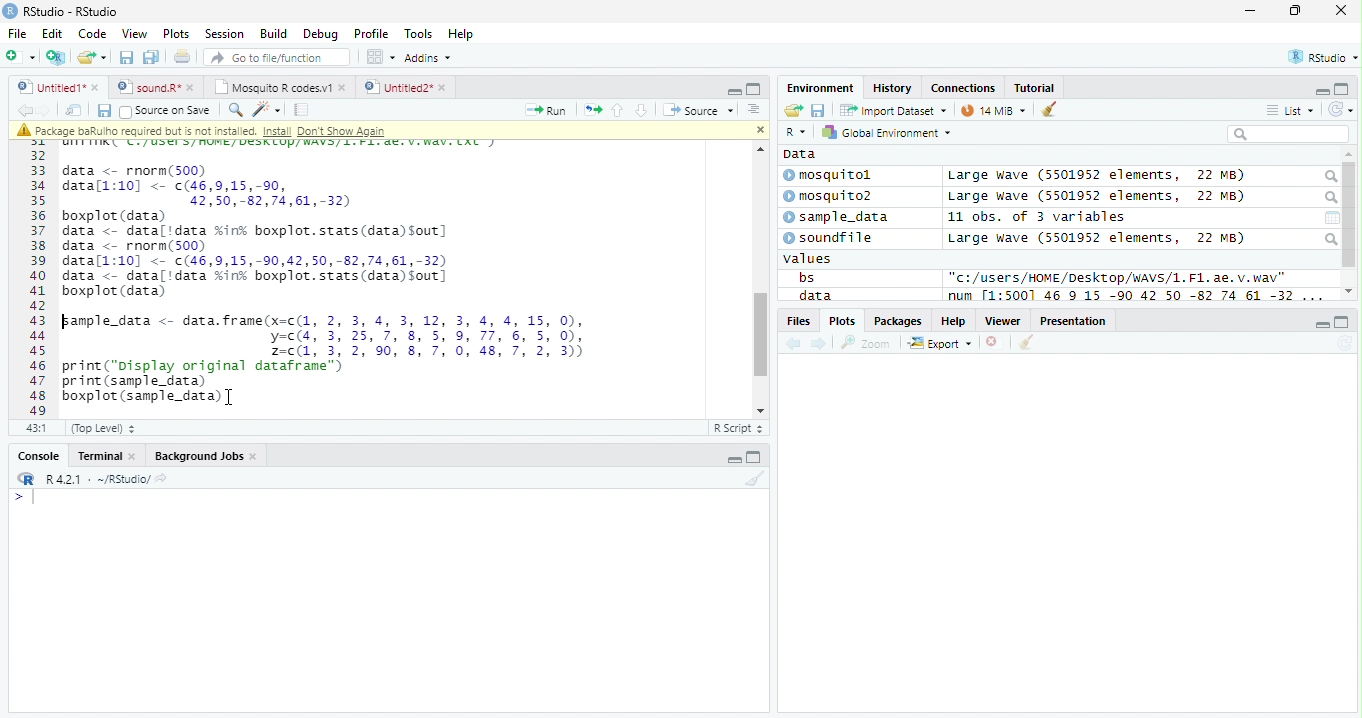 Image resolution: width=1362 pixels, height=718 pixels. What do you see at coordinates (832, 196) in the screenshot?
I see `mosquito2` at bounding box center [832, 196].